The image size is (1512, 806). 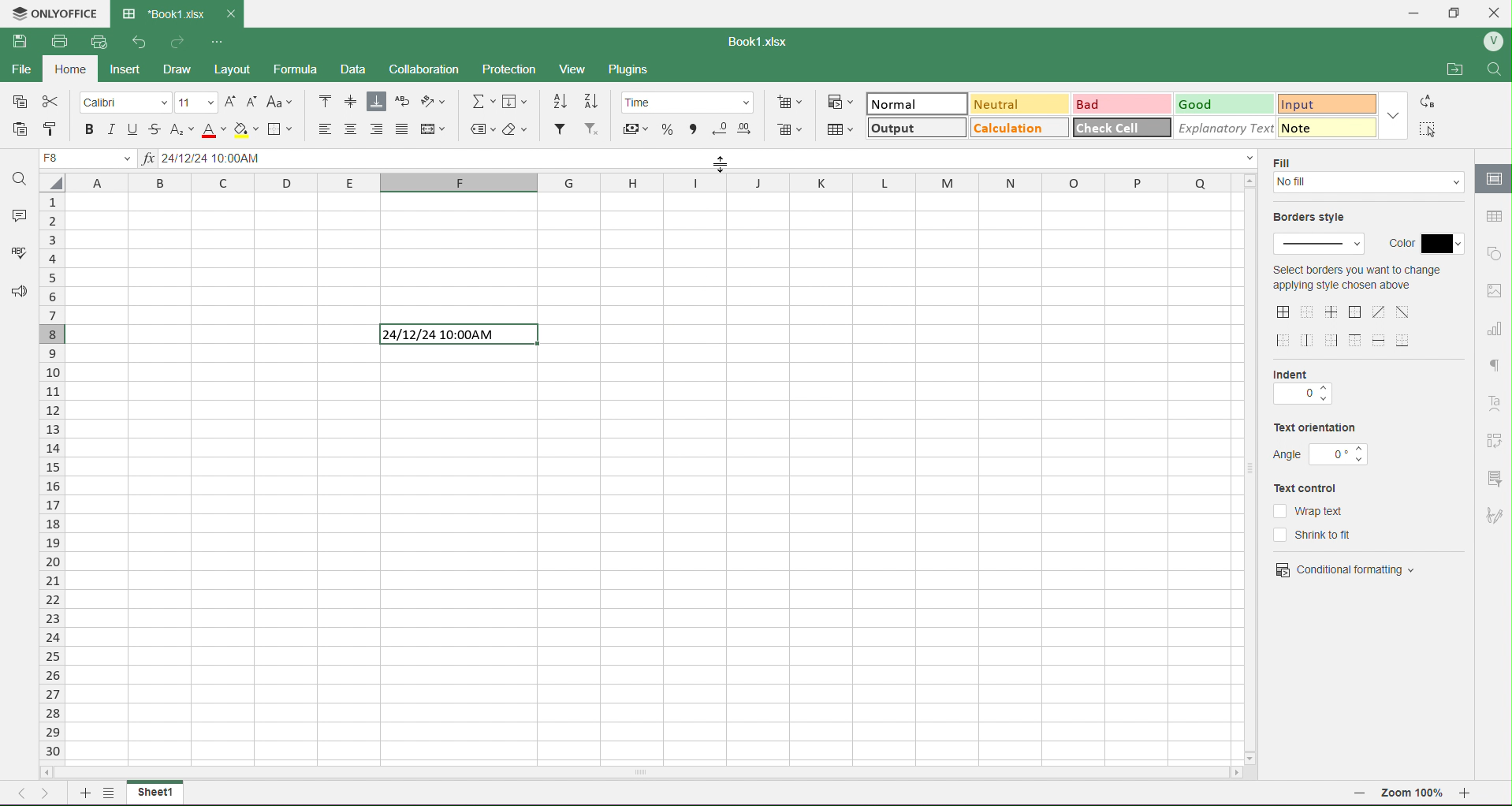 What do you see at coordinates (1321, 245) in the screenshot?
I see `border style` at bounding box center [1321, 245].